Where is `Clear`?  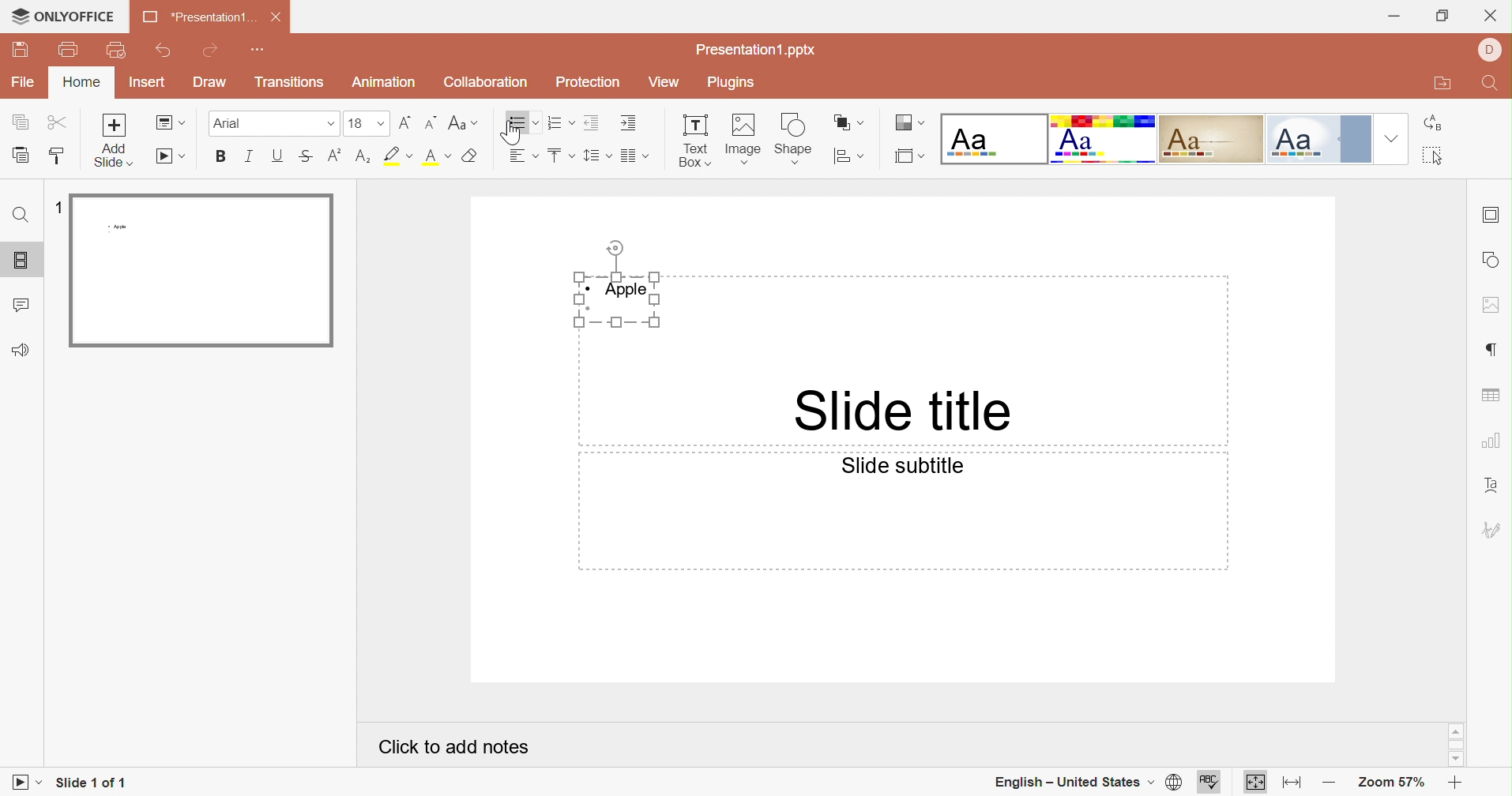 Clear is located at coordinates (471, 157).